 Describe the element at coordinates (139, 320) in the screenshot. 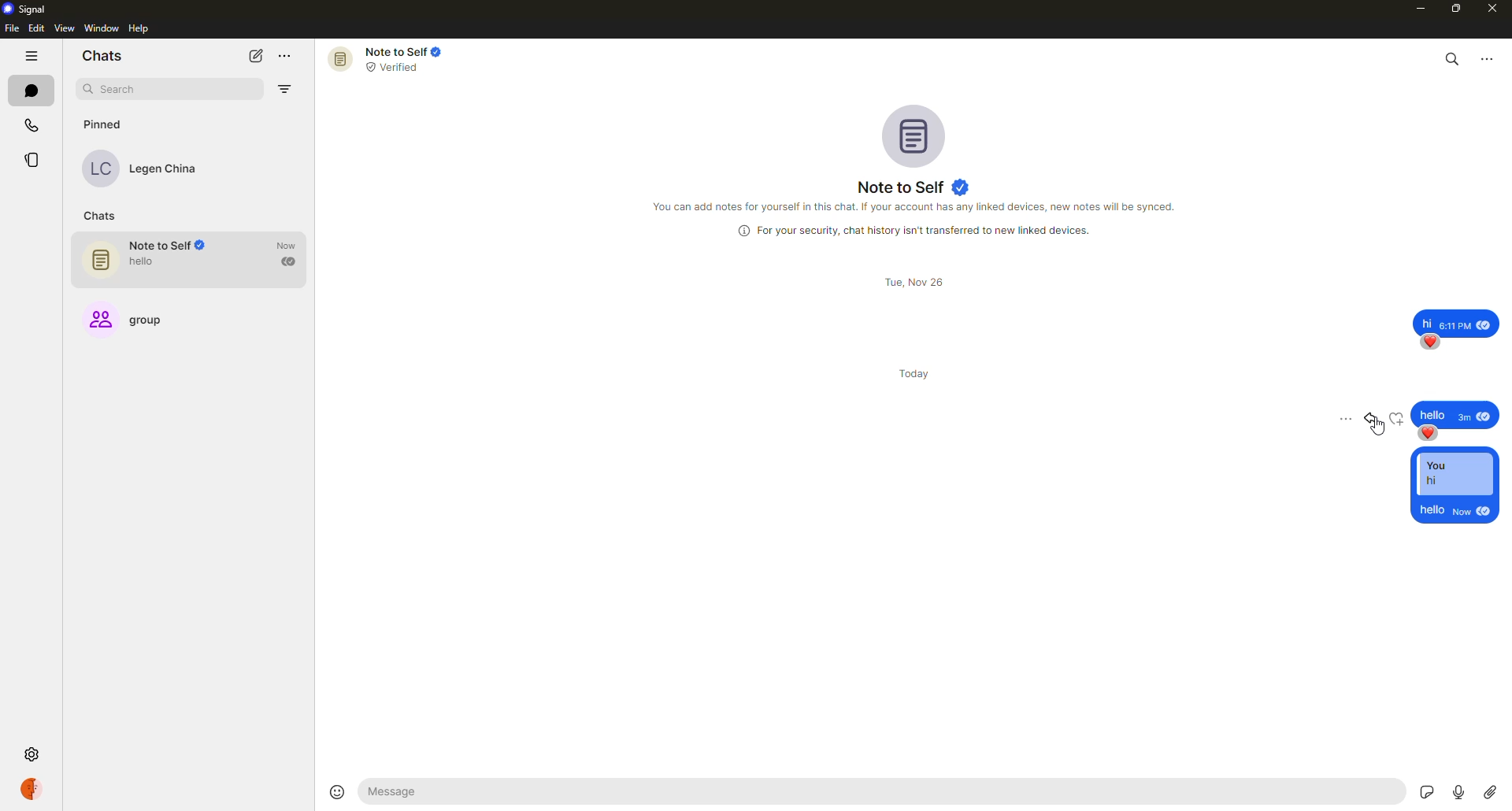

I see `group` at that location.